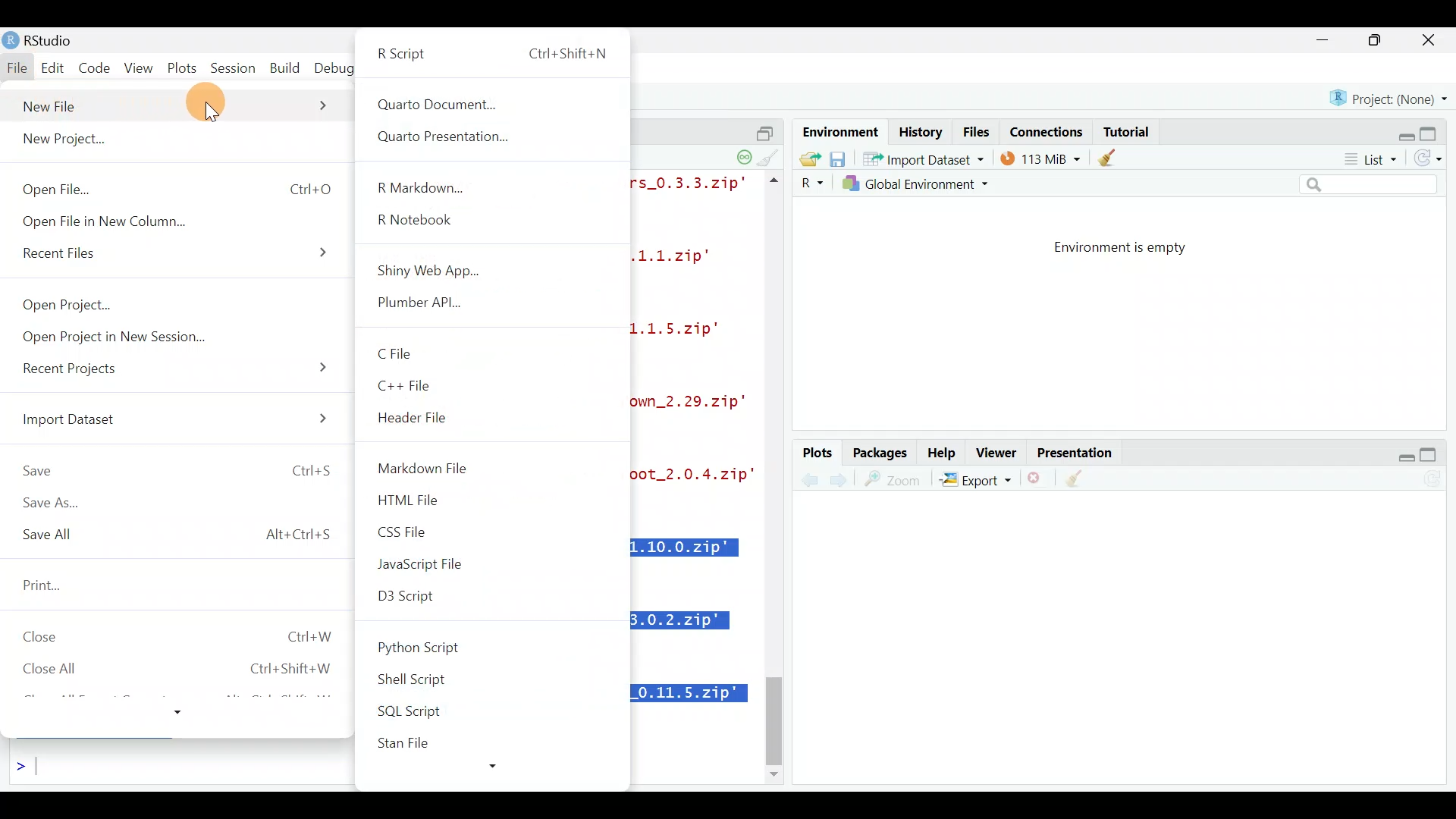  What do you see at coordinates (806, 158) in the screenshot?
I see `Load workspace` at bounding box center [806, 158].